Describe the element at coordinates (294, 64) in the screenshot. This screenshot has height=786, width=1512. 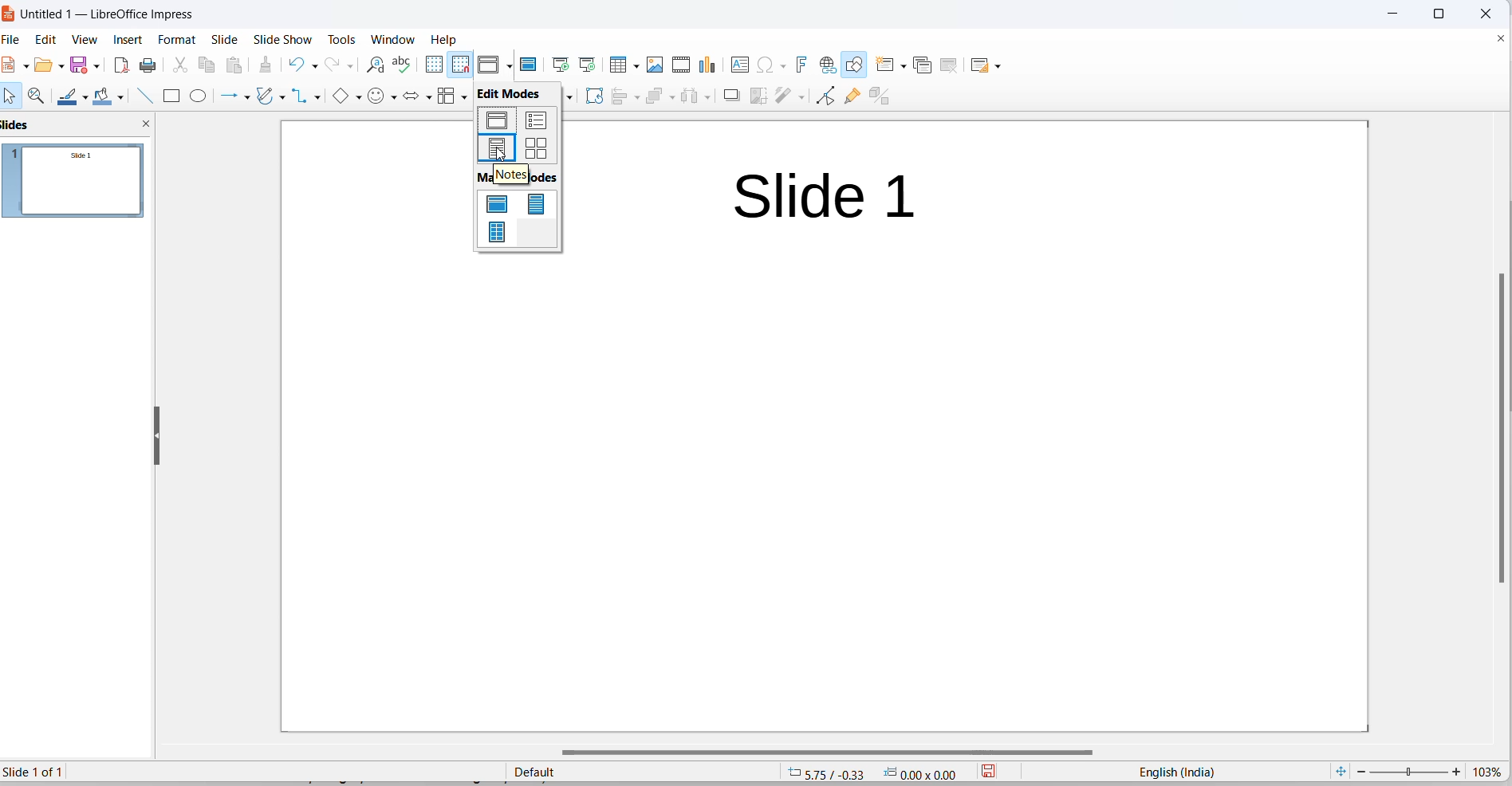
I see `undo` at that location.